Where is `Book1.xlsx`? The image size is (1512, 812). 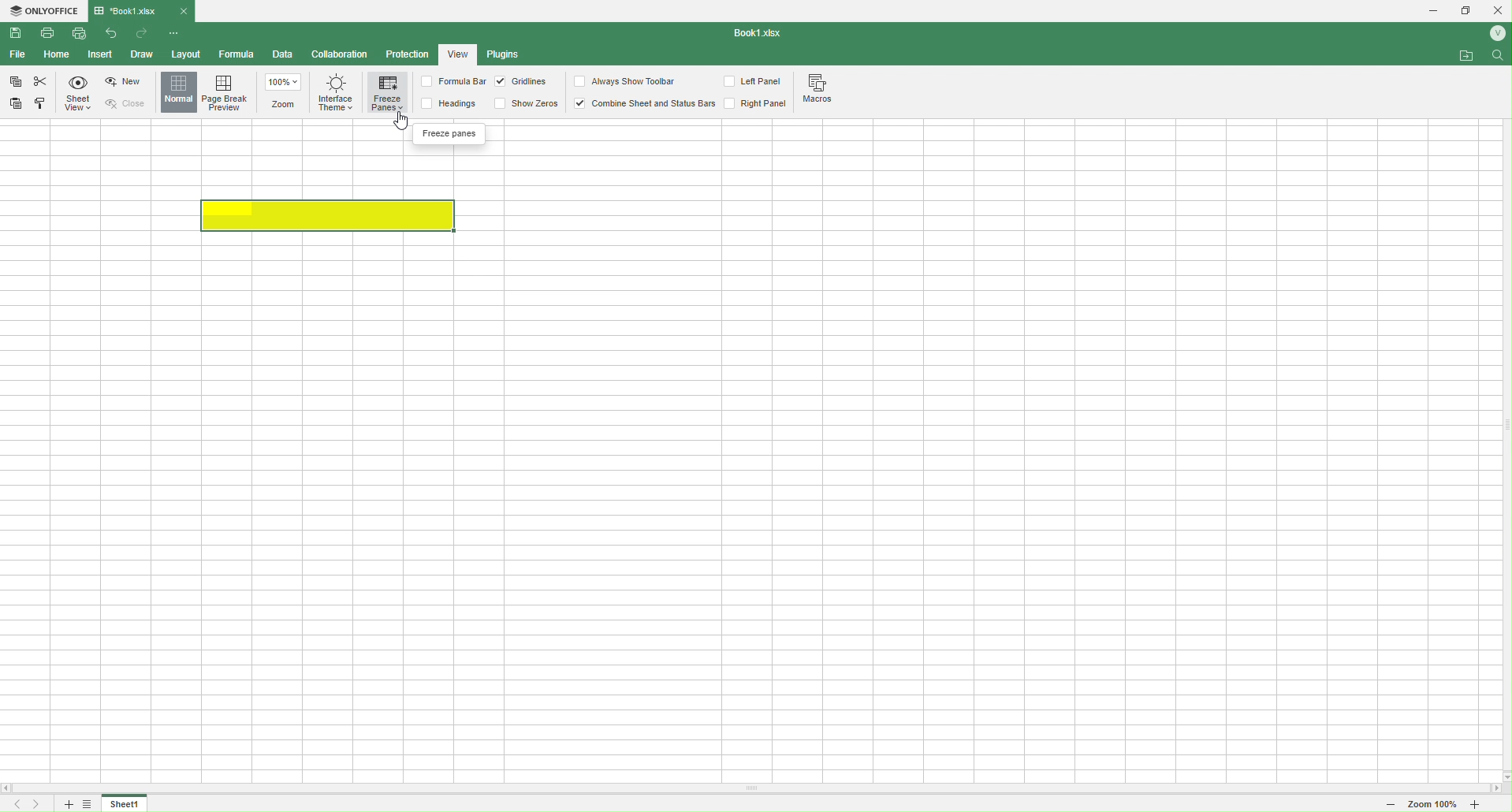 Book1.xlsx is located at coordinates (762, 34).